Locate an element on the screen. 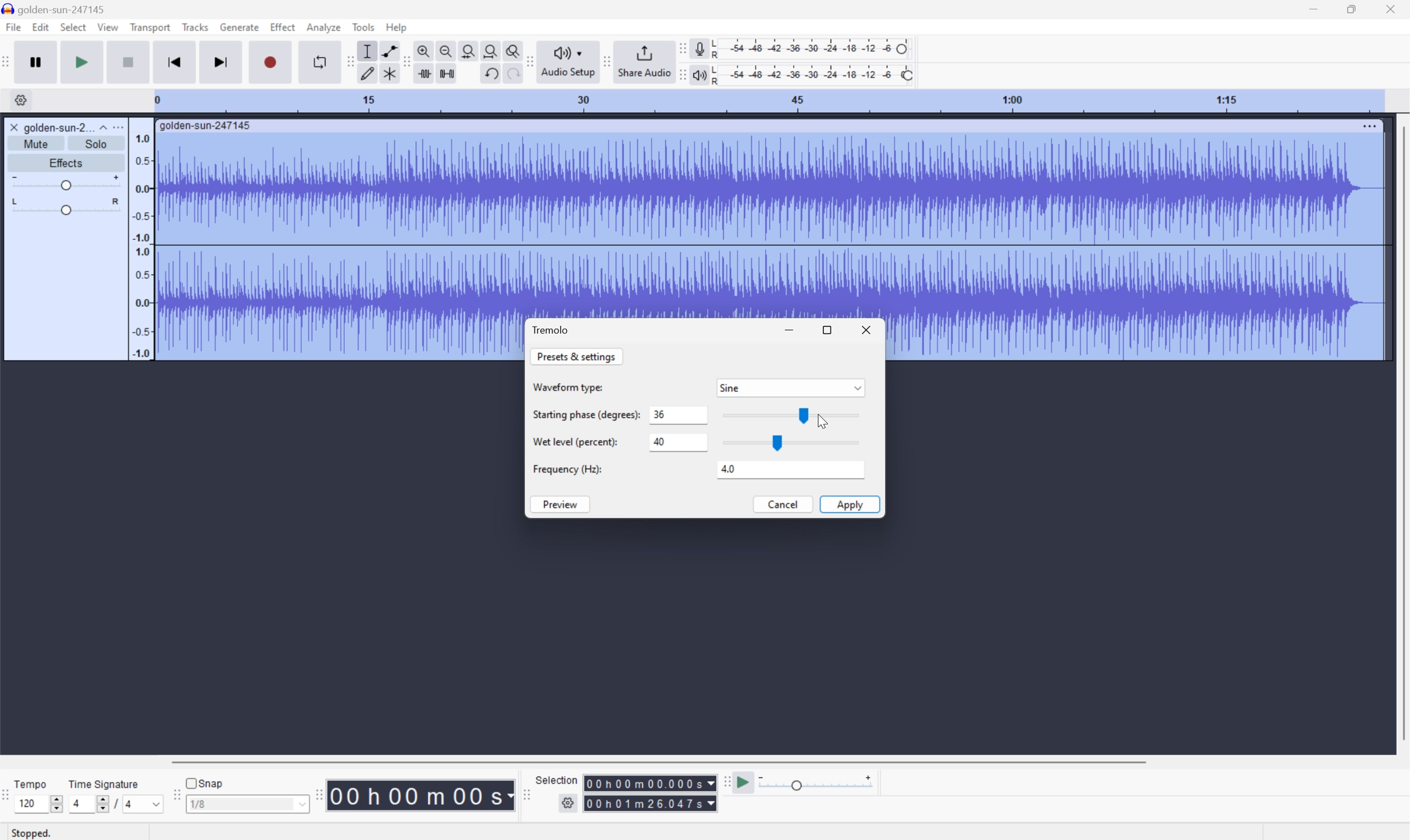 This screenshot has height=840, width=1410. Frequencies is located at coordinates (141, 246).